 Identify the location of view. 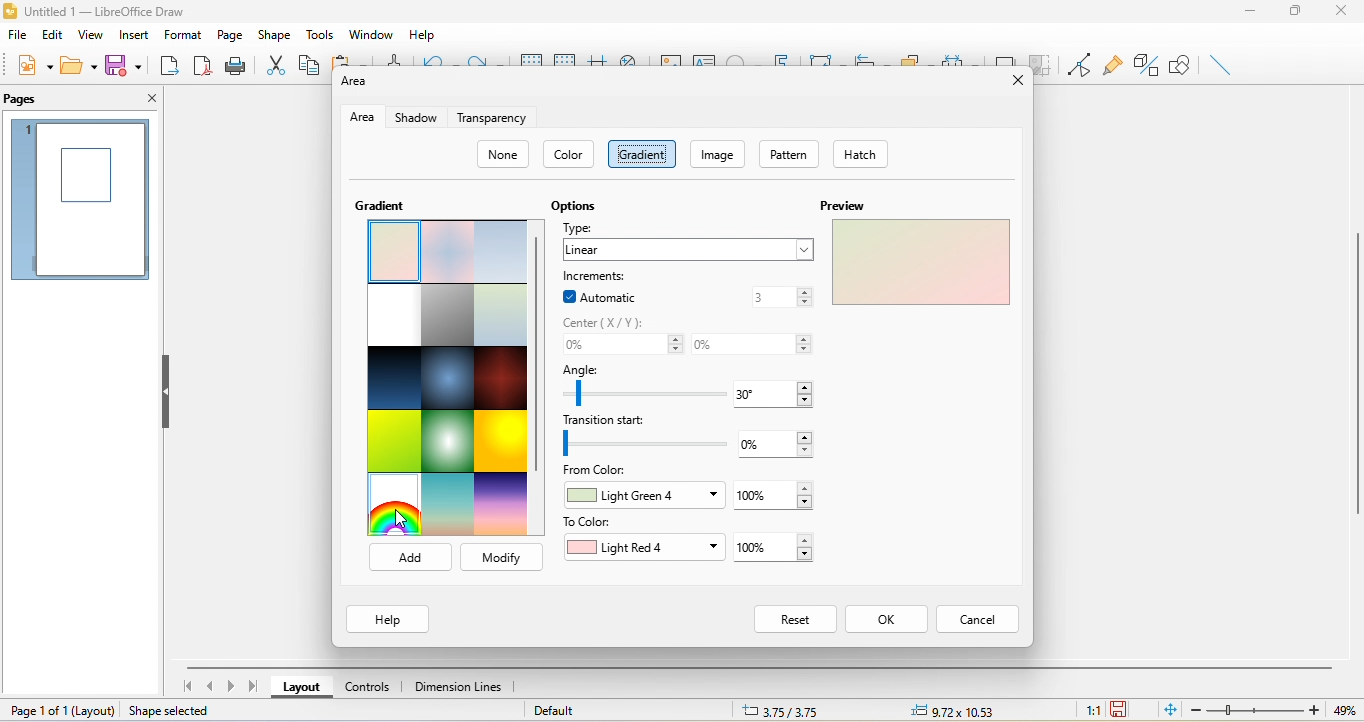
(93, 38).